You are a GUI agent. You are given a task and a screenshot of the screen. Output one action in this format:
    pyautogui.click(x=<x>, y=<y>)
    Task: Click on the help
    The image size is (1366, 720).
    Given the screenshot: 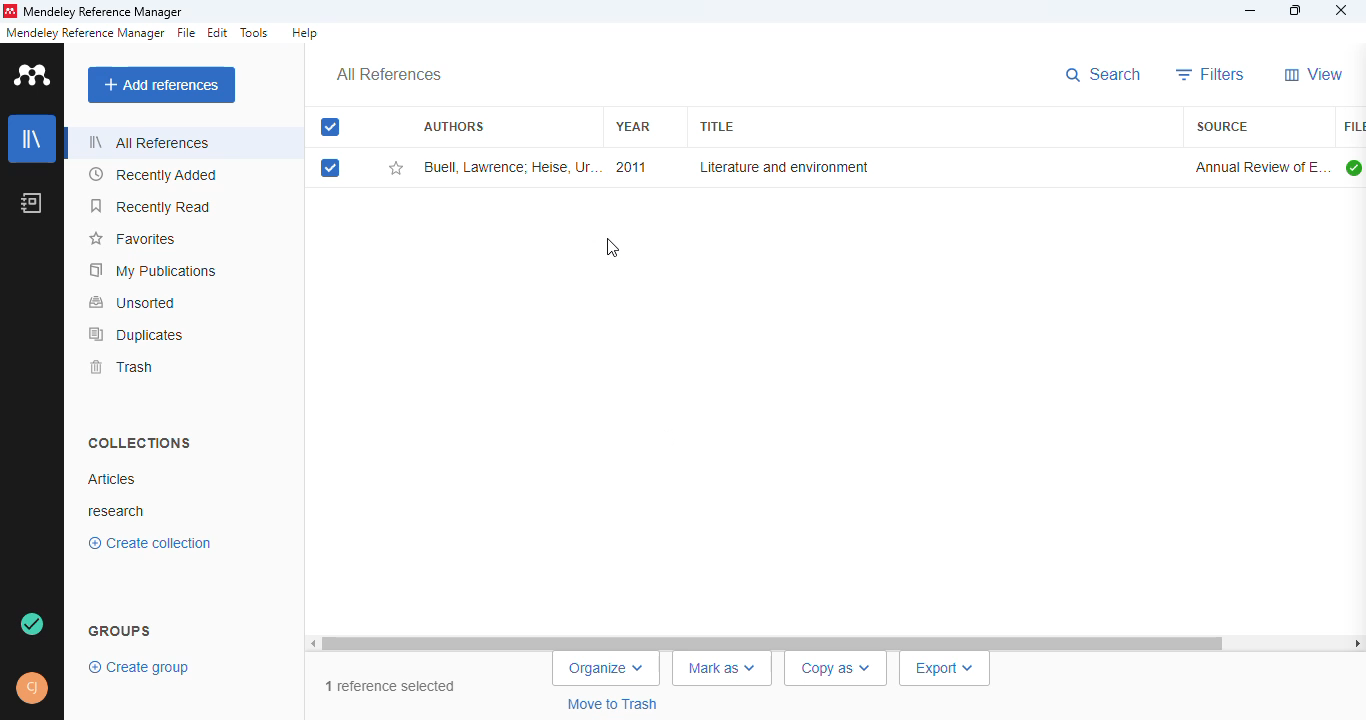 What is the action you would take?
    pyautogui.click(x=305, y=32)
    